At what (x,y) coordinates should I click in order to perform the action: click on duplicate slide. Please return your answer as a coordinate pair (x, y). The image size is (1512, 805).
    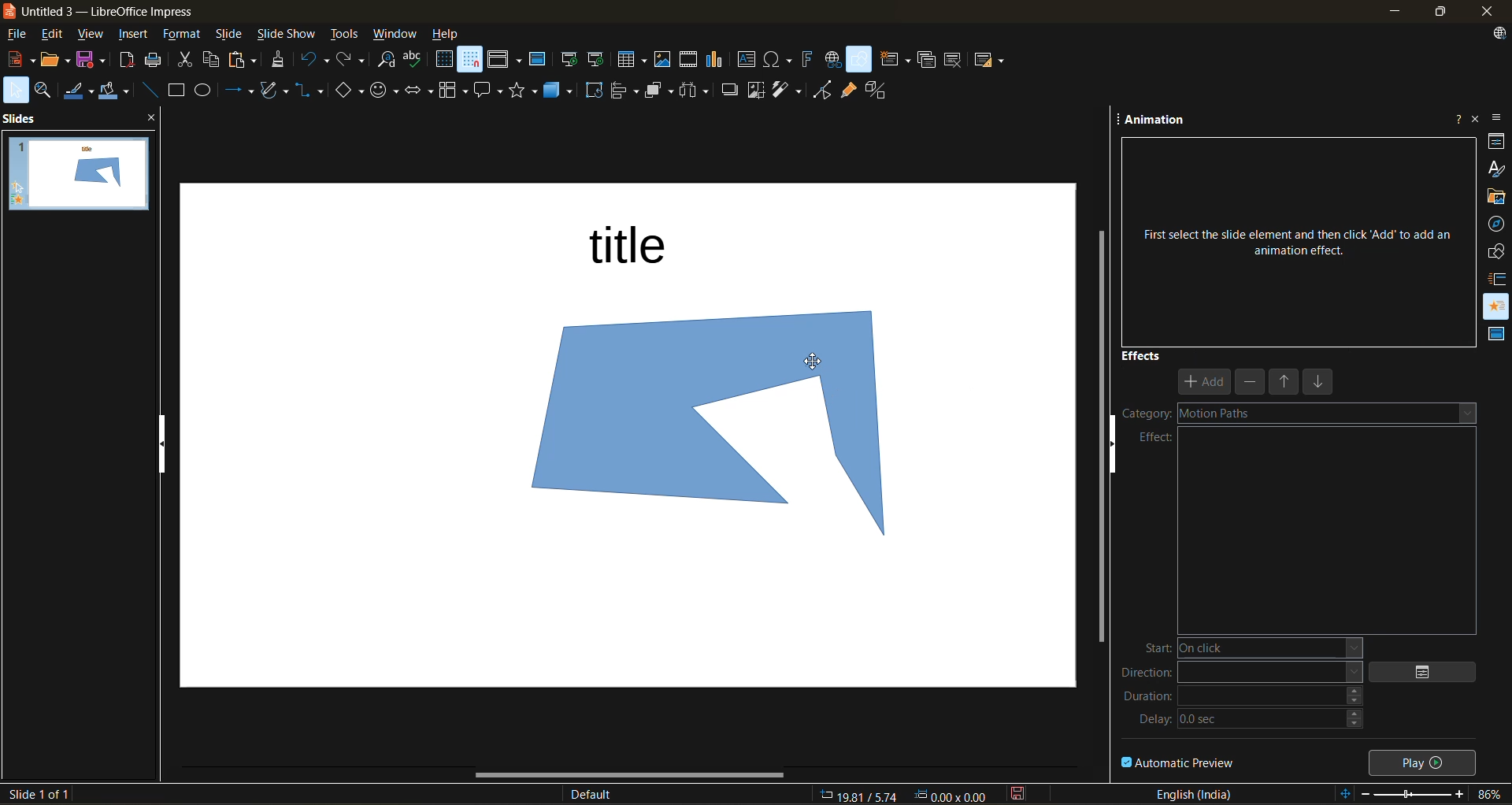
    Looking at the image, I should click on (927, 60).